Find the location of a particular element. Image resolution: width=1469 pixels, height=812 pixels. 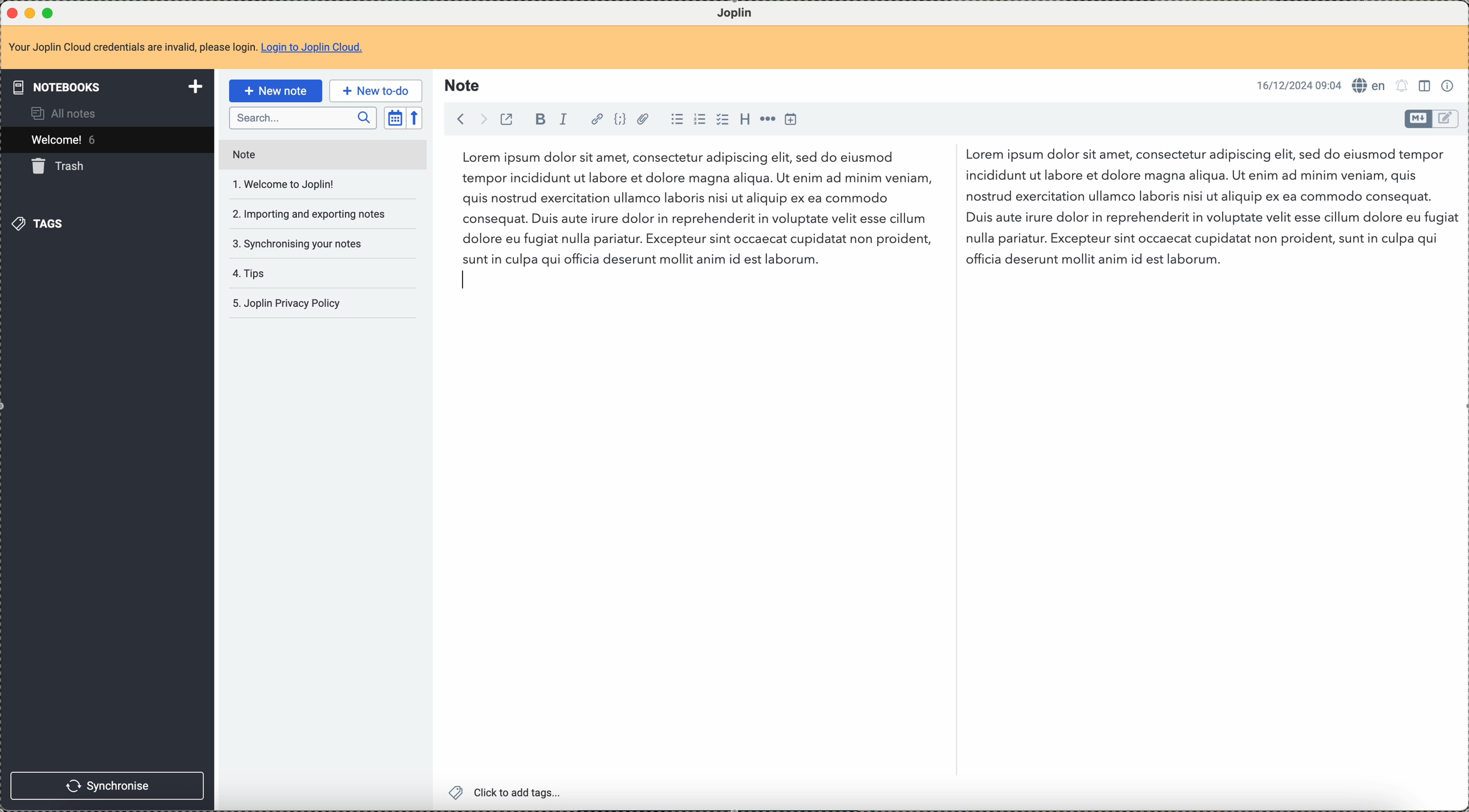

heading is located at coordinates (745, 121).